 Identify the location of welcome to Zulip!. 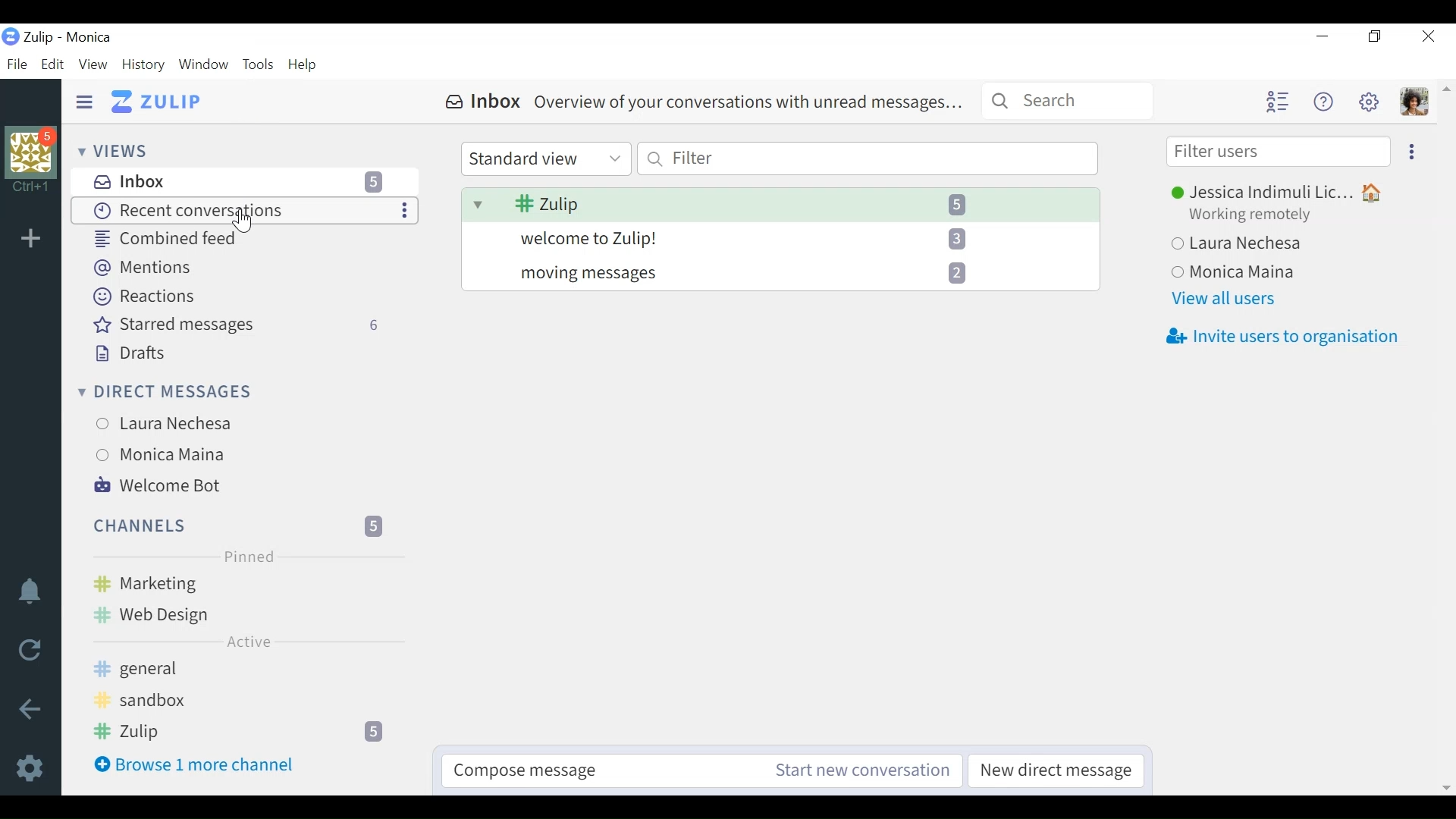
(779, 240).